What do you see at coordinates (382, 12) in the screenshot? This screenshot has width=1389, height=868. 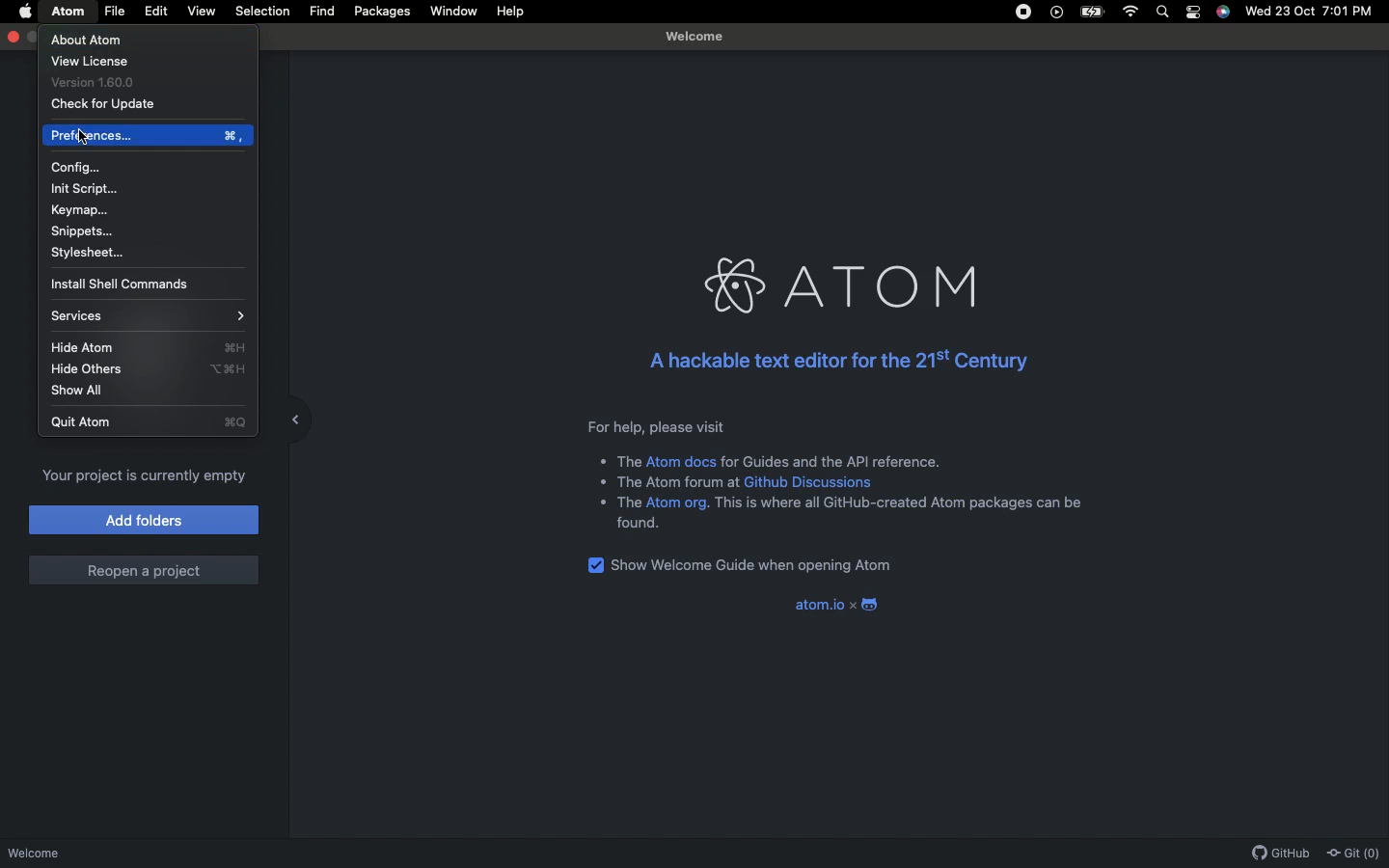 I see `Packages` at bounding box center [382, 12].